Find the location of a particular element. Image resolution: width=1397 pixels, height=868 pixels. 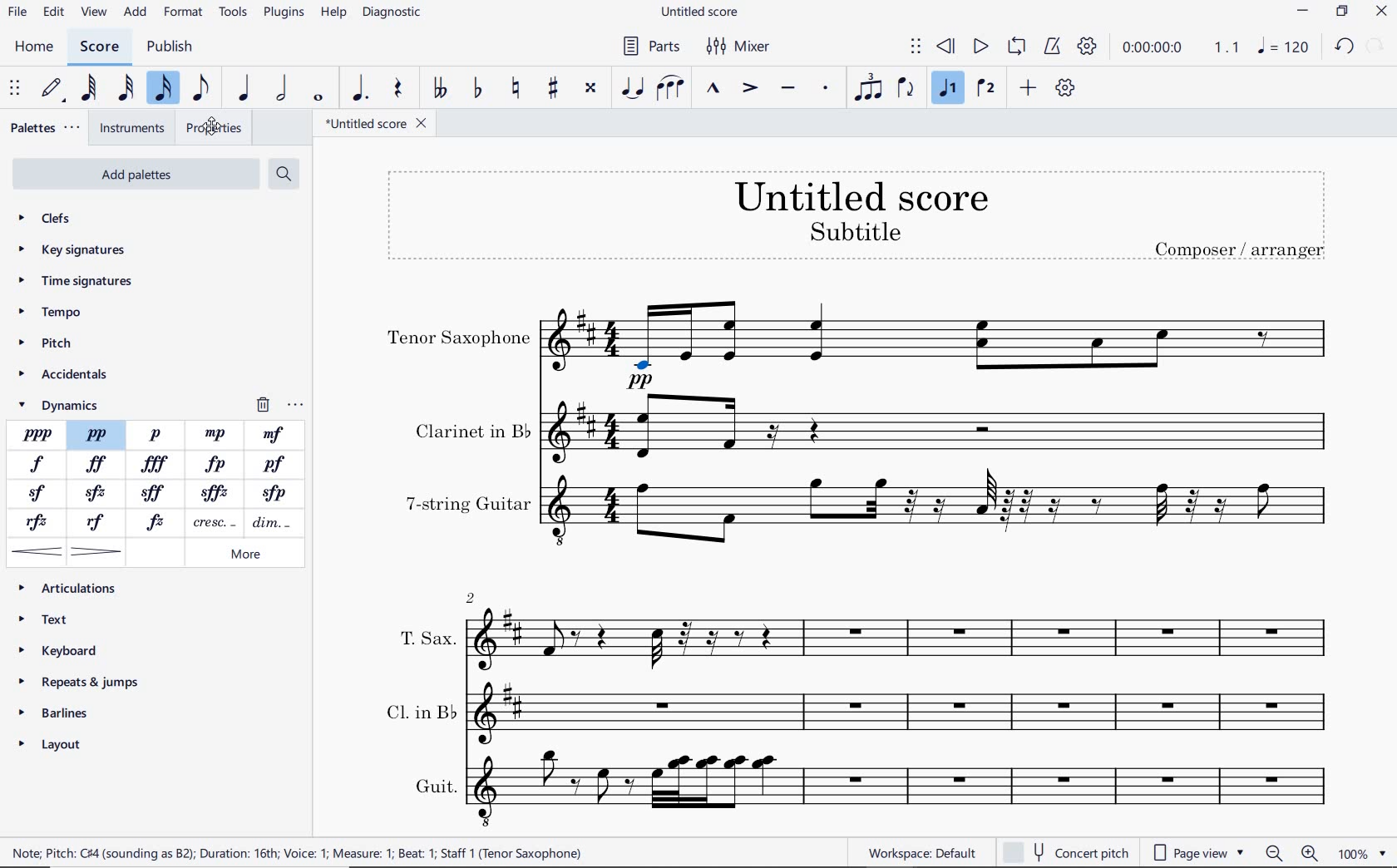

MP (MEZZO-PIANO) is located at coordinates (217, 434).